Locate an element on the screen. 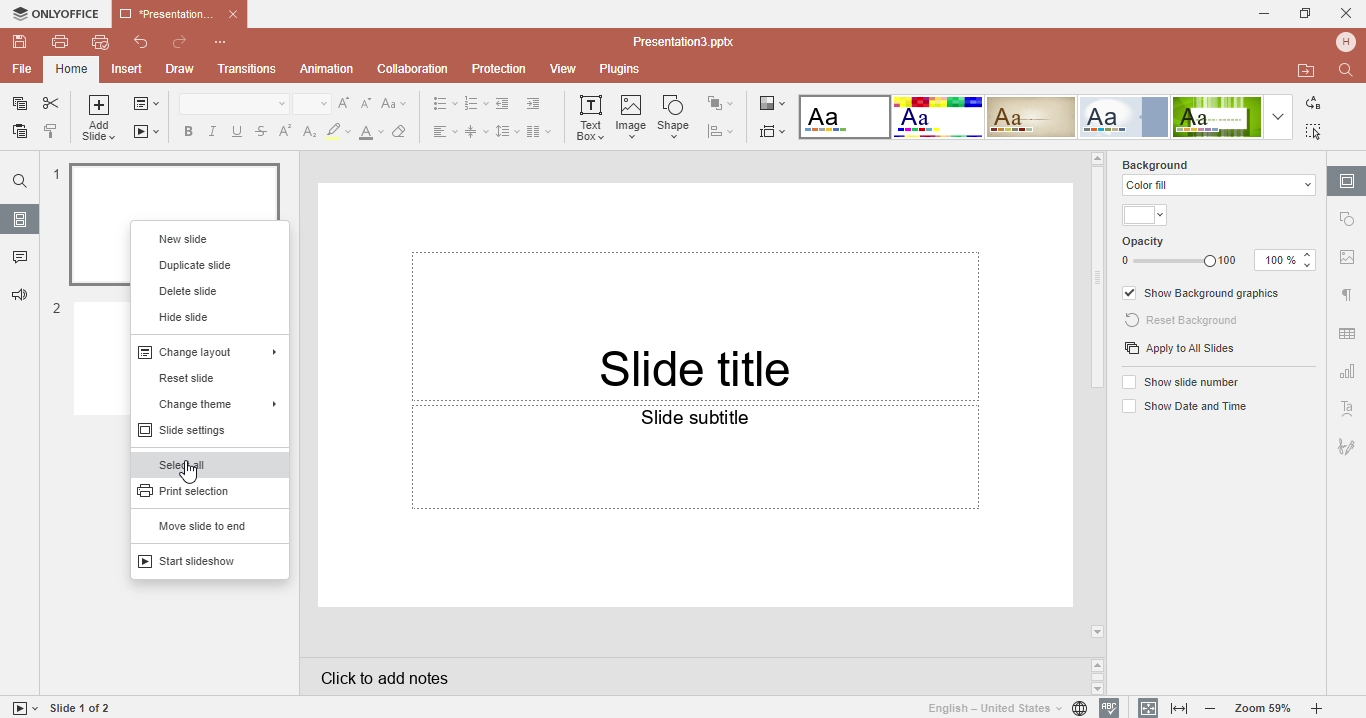 Image resolution: width=1366 pixels, height=718 pixels. Paste is located at coordinates (17, 135).